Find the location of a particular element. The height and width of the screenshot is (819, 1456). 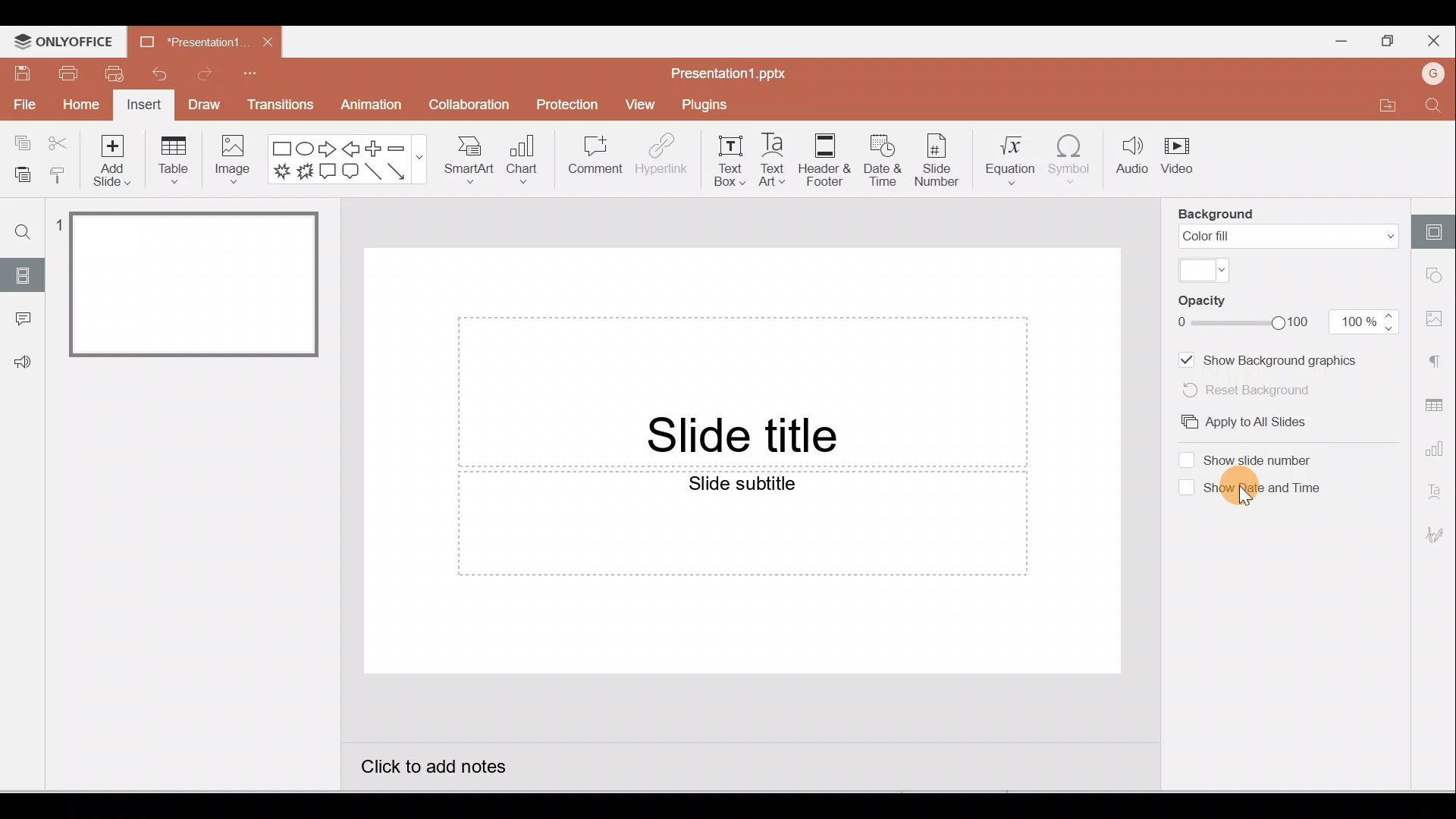

Minimise is located at coordinates (1336, 40).